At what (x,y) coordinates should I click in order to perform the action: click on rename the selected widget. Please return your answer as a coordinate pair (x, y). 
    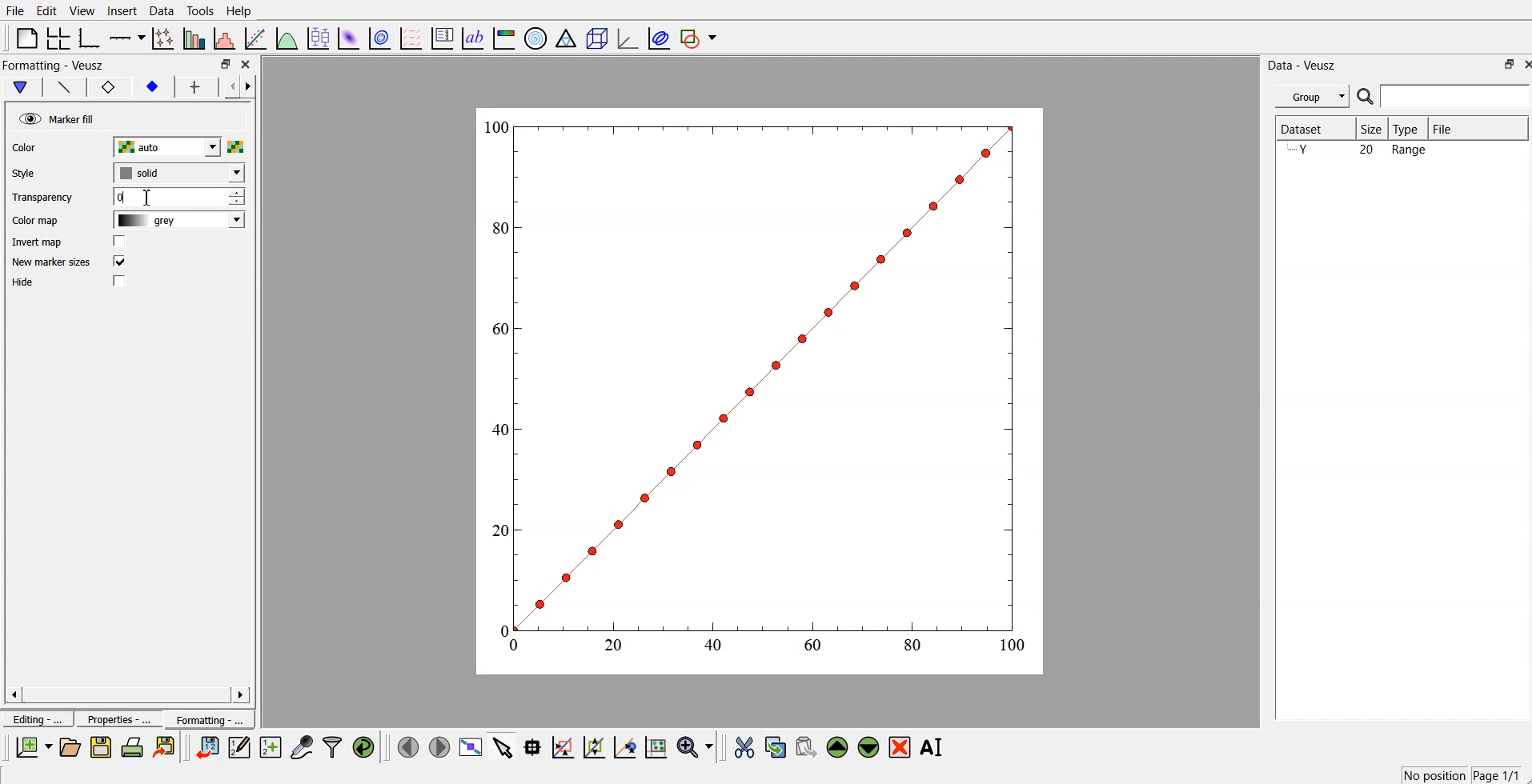
    Looking at the image, I should click on (932, 747).